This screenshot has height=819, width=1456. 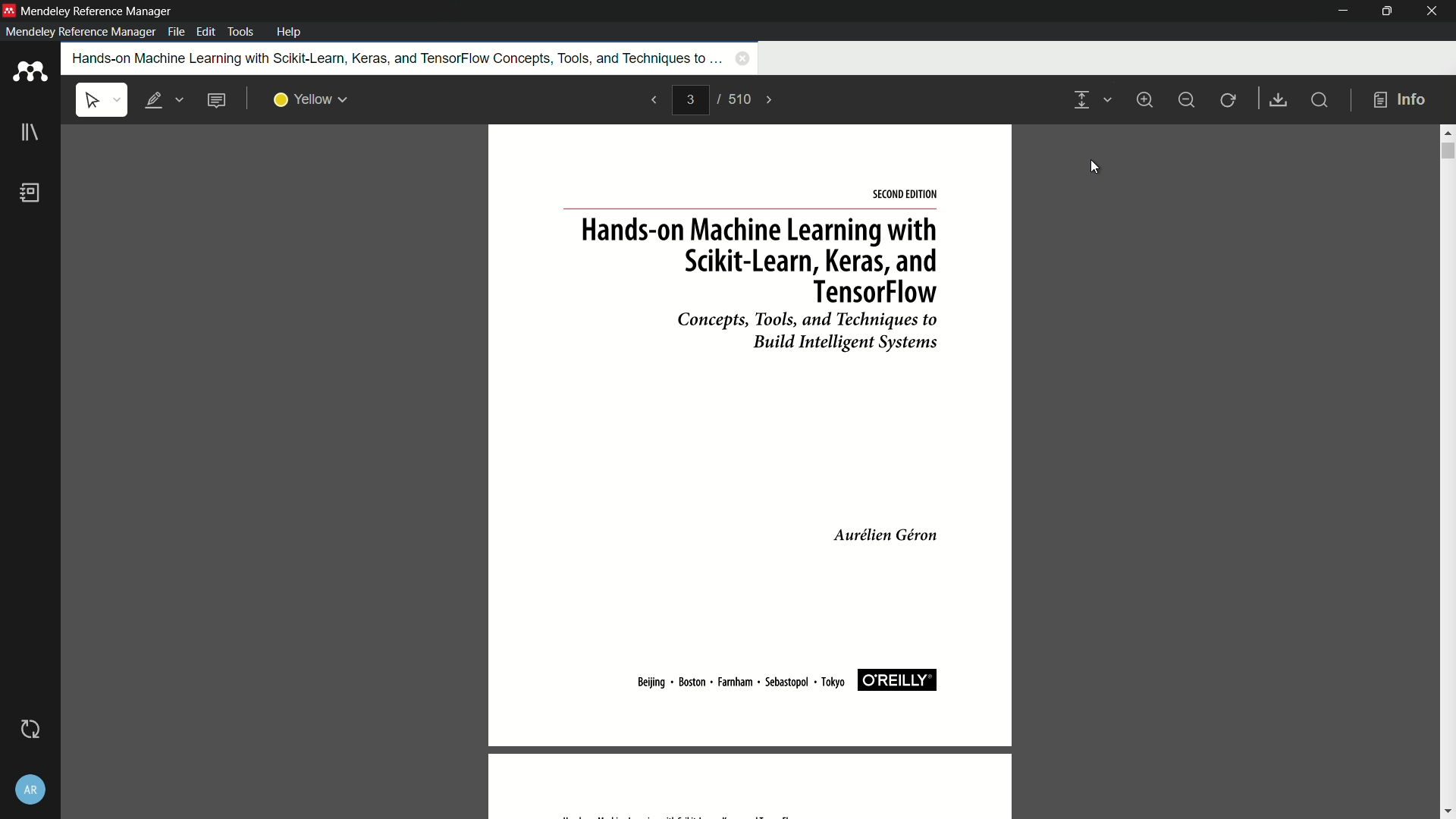 I want to click on close app, so click(x=1433, y=11).